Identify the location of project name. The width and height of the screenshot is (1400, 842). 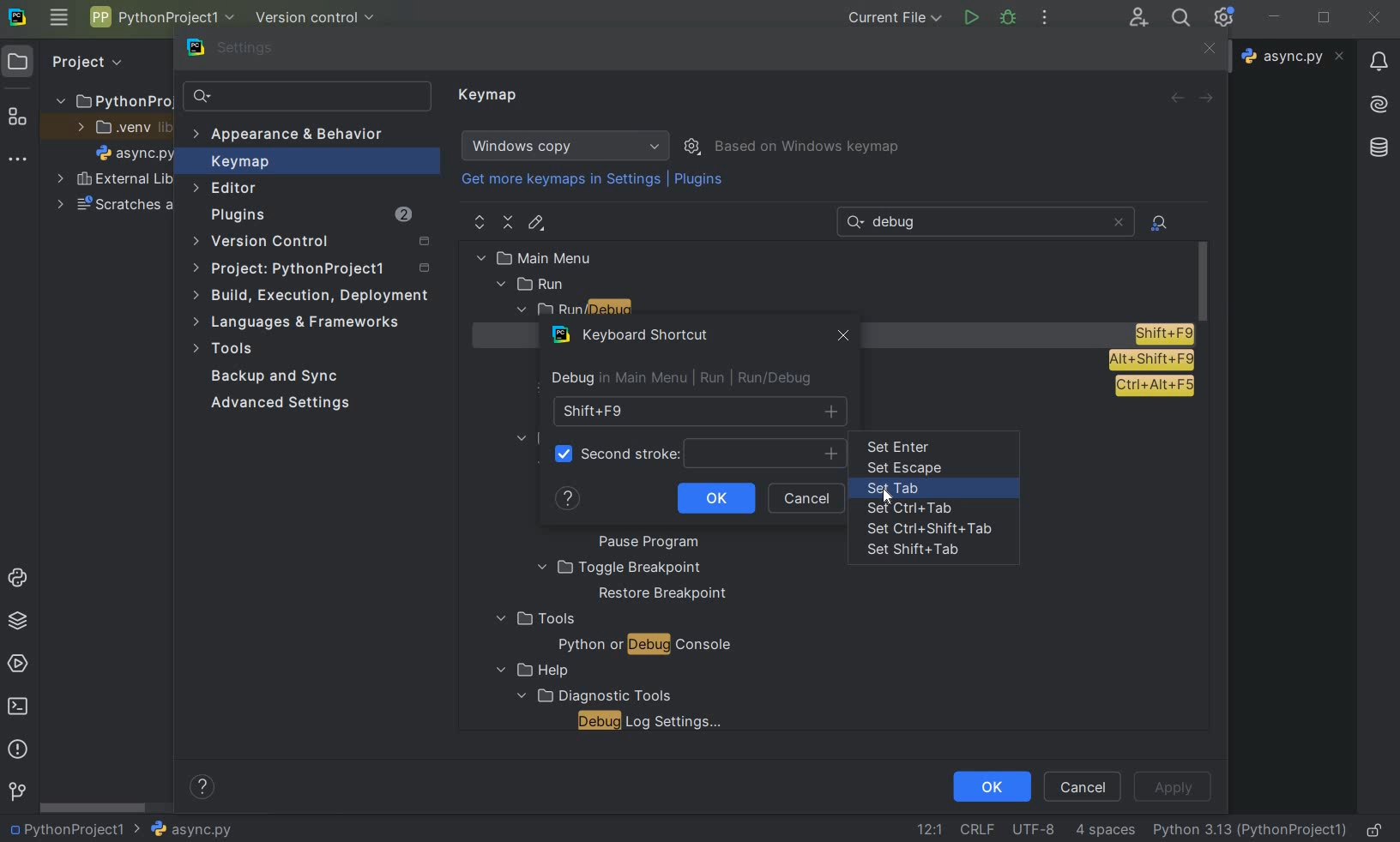
(112, 98).